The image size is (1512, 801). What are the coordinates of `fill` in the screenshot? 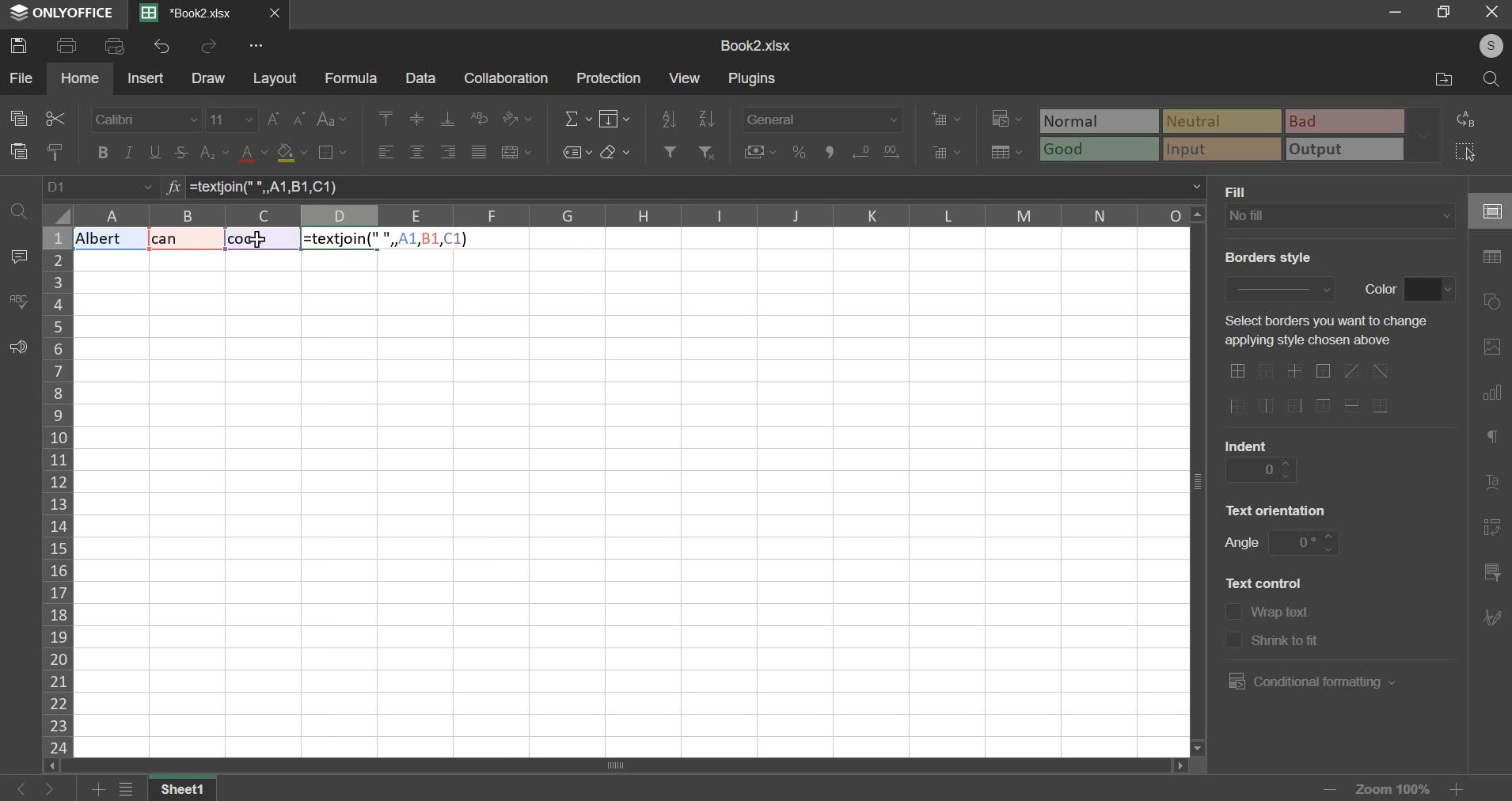 It's located at (616, 118).